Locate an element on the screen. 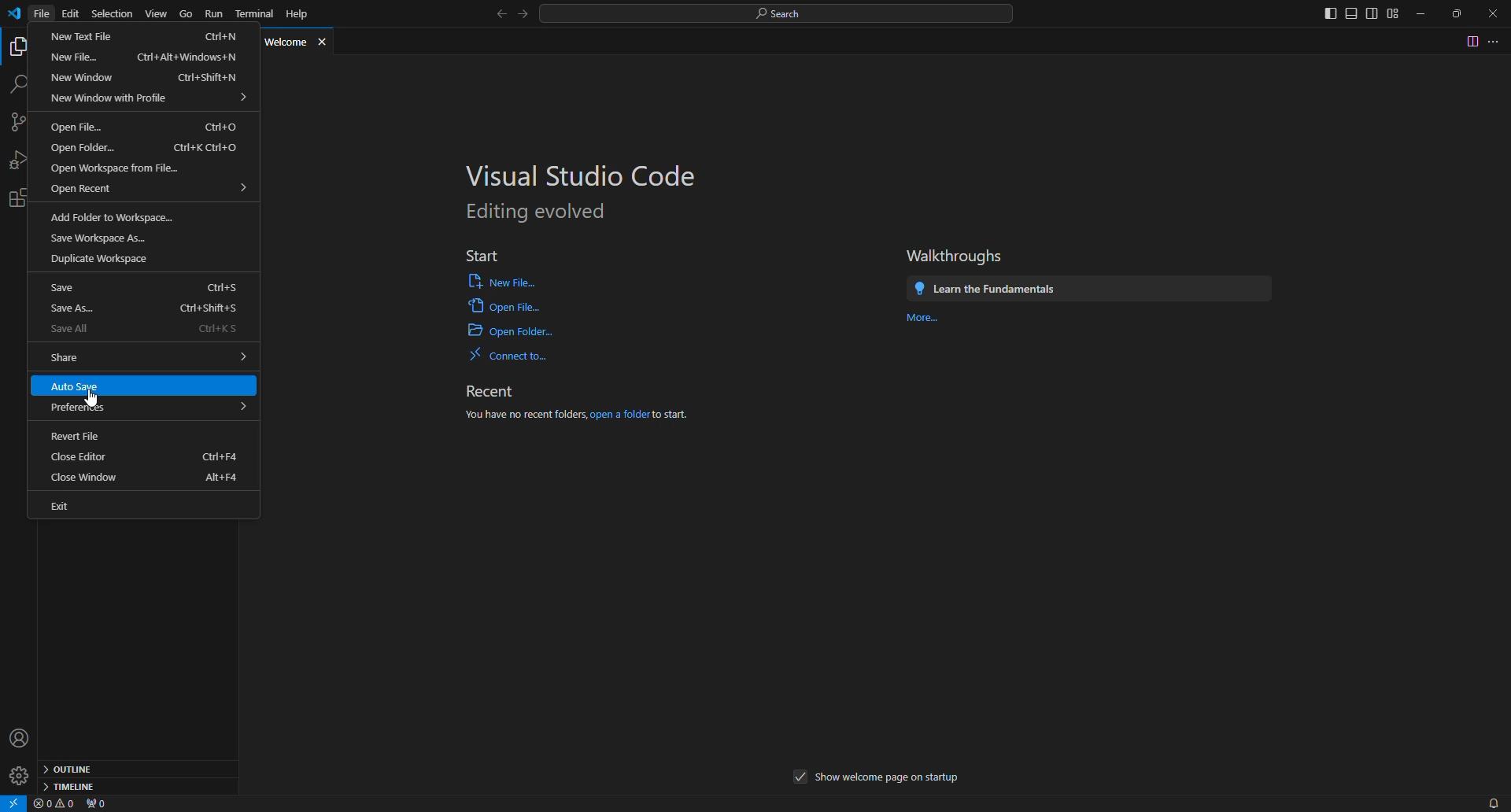  minimize is located at coordinates (1421, 13).